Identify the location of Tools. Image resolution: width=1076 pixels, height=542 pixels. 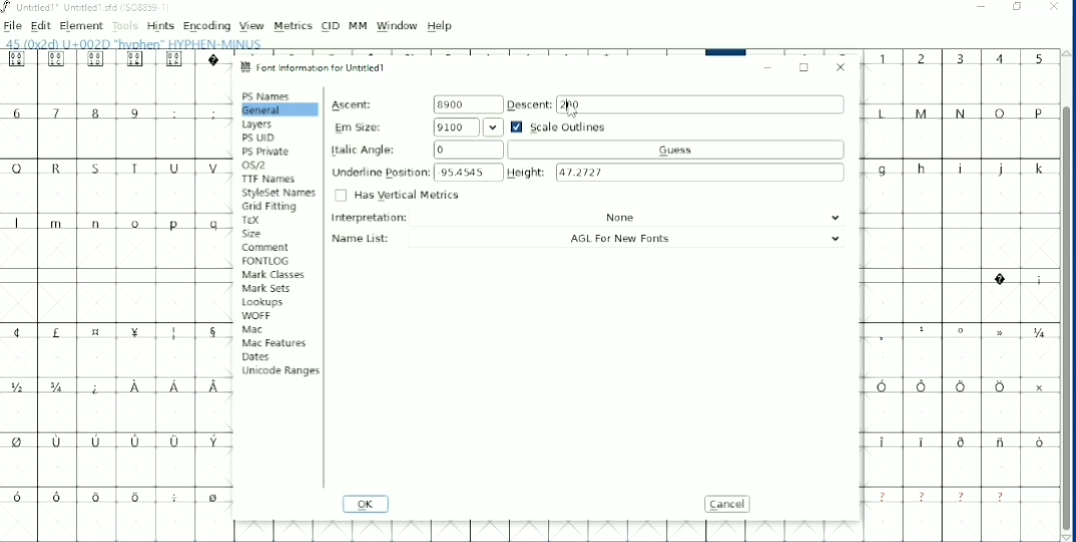
(125, 27).